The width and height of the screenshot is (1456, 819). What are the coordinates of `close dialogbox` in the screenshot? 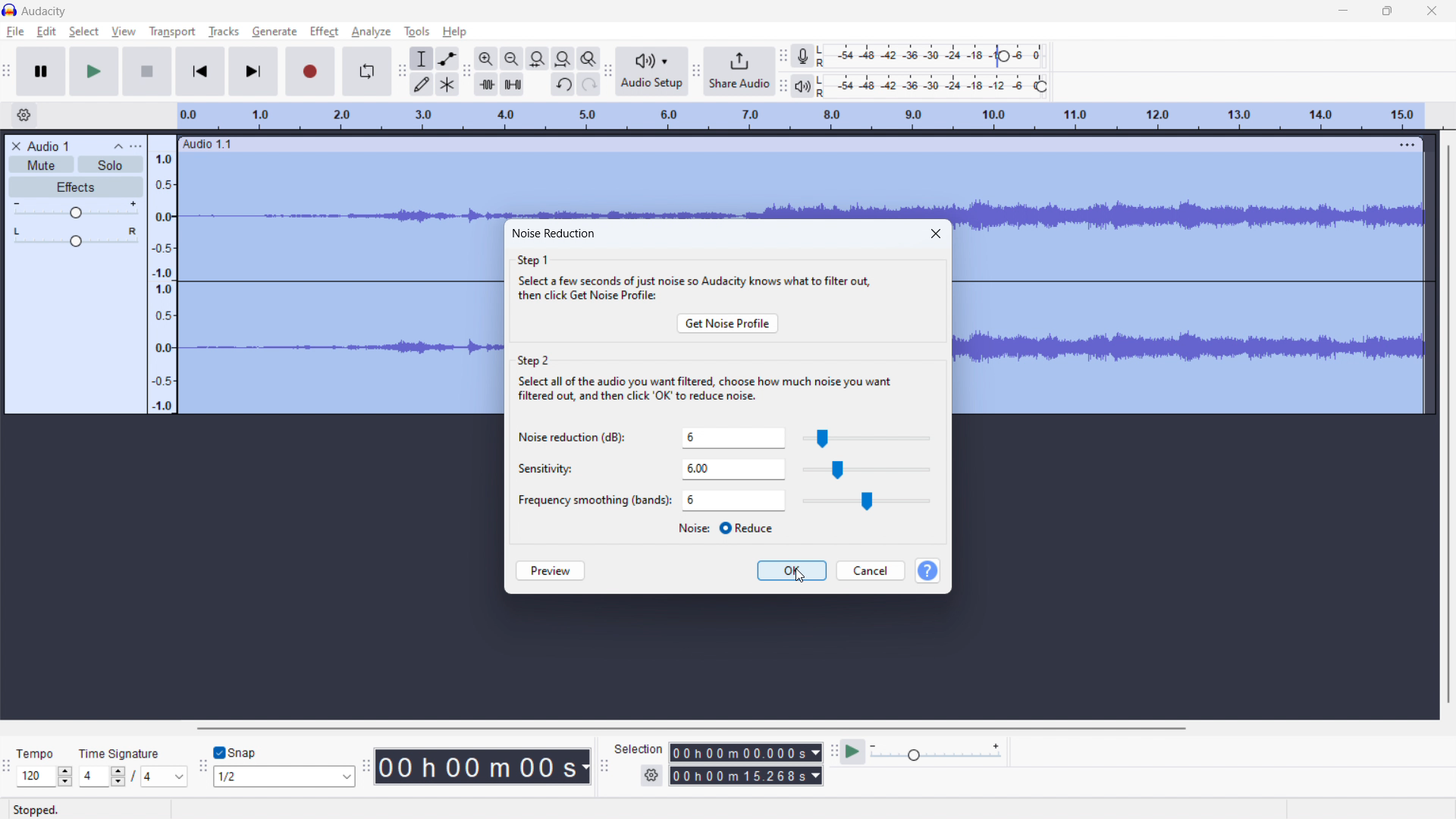 It's located at (937, 234).